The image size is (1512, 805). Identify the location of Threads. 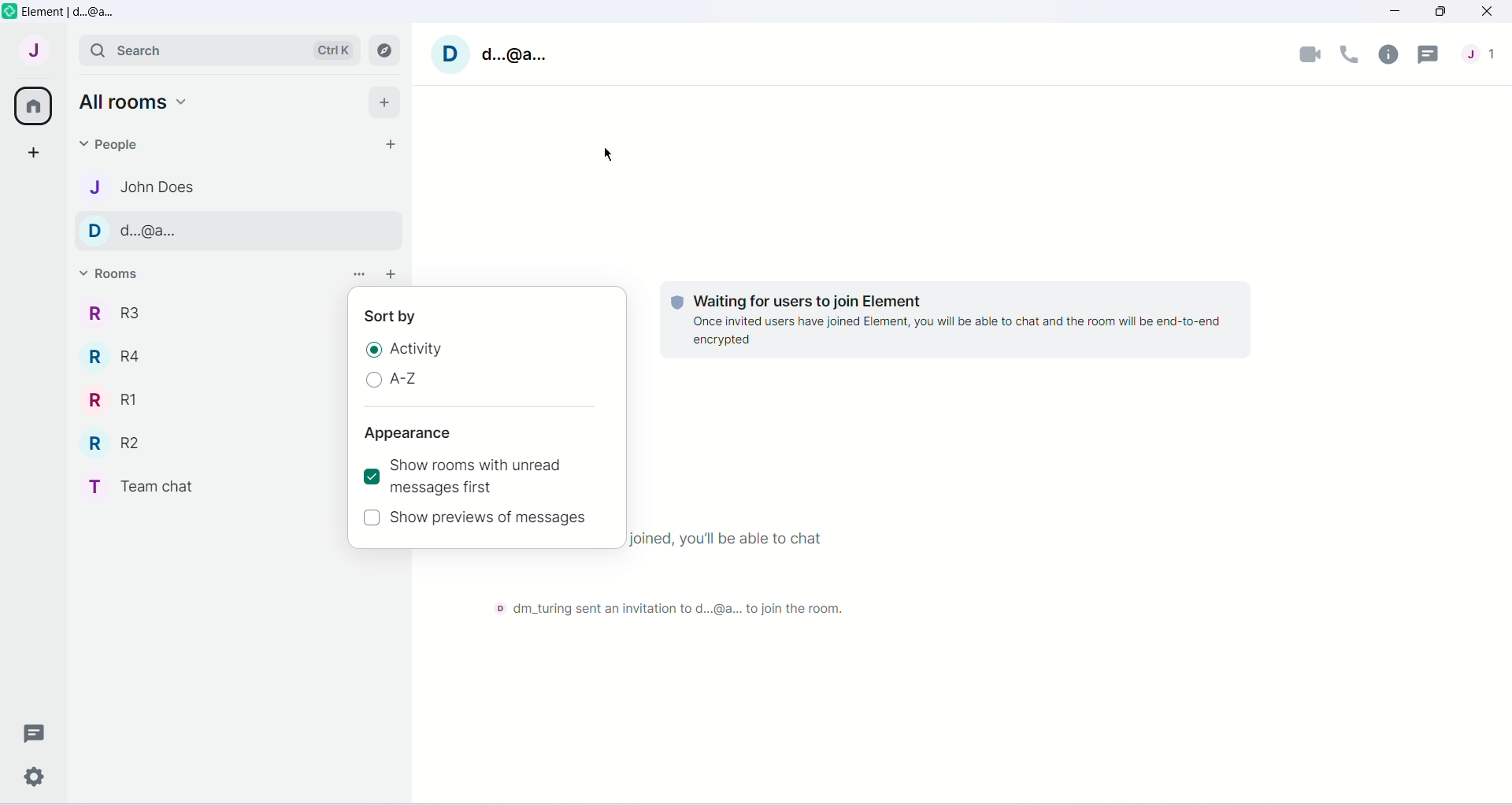
(1432, 54).